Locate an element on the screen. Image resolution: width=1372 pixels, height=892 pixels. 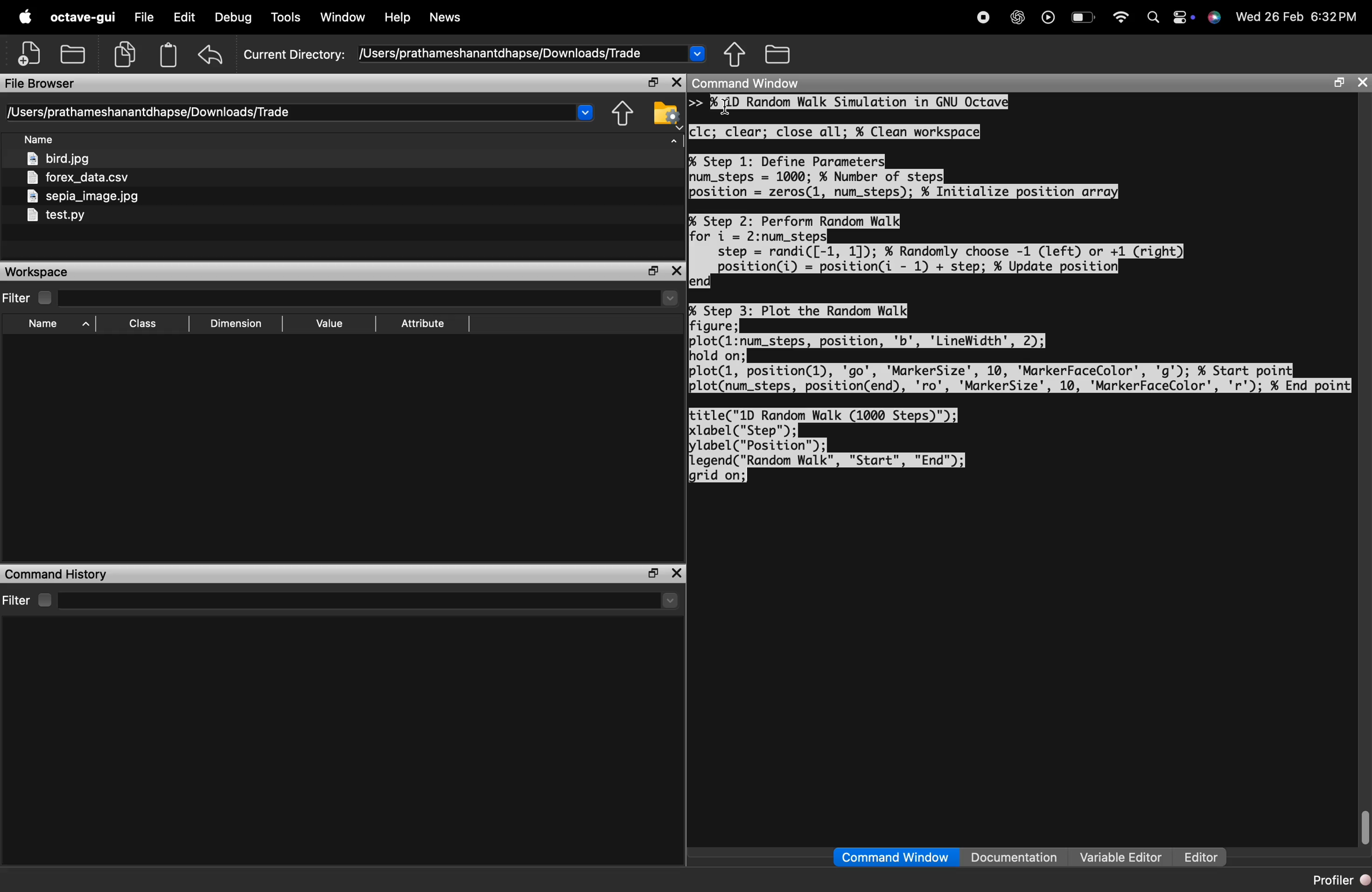
copy is located at coordinates (127, 53).